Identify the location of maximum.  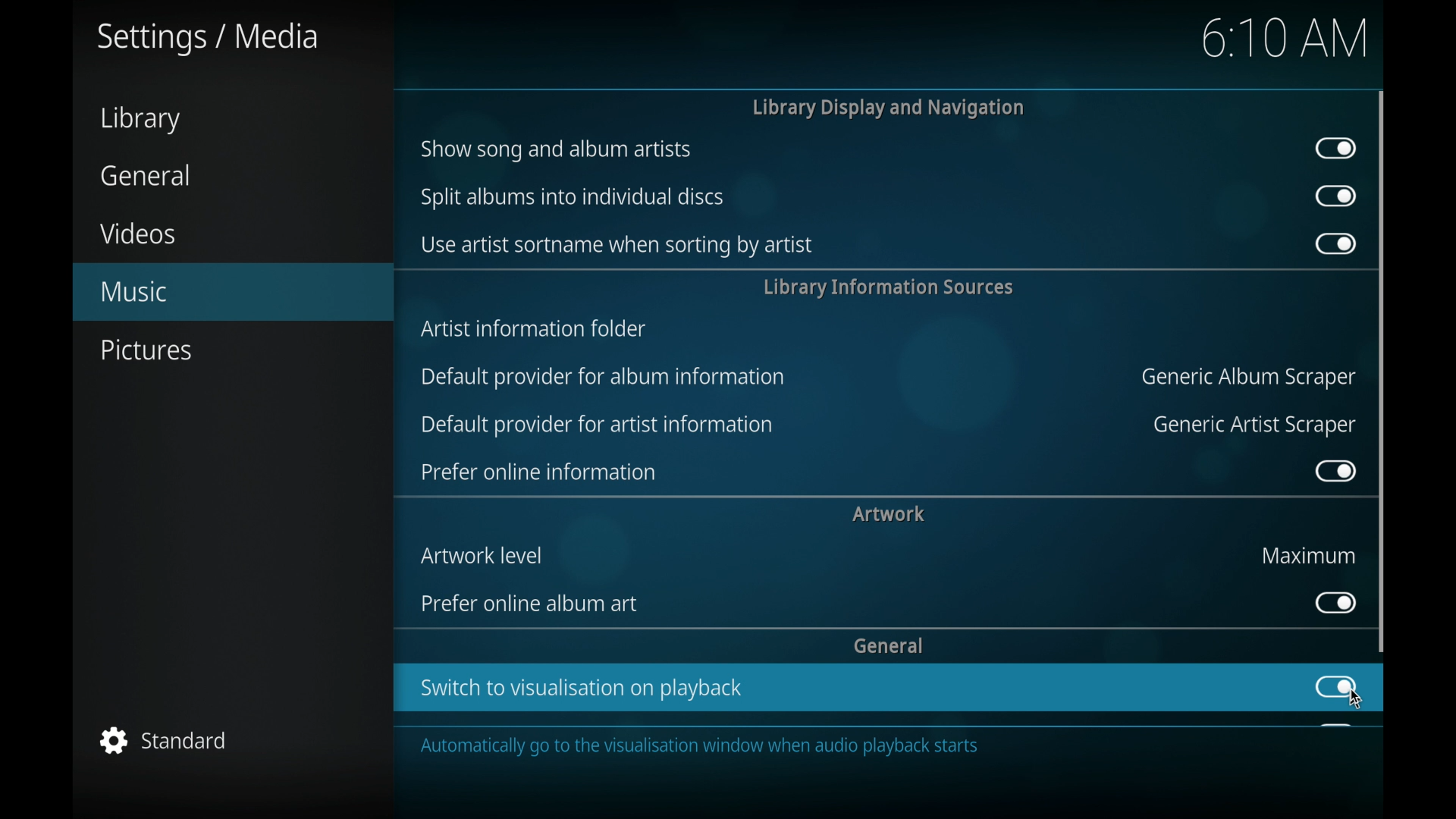
(1310, 555).